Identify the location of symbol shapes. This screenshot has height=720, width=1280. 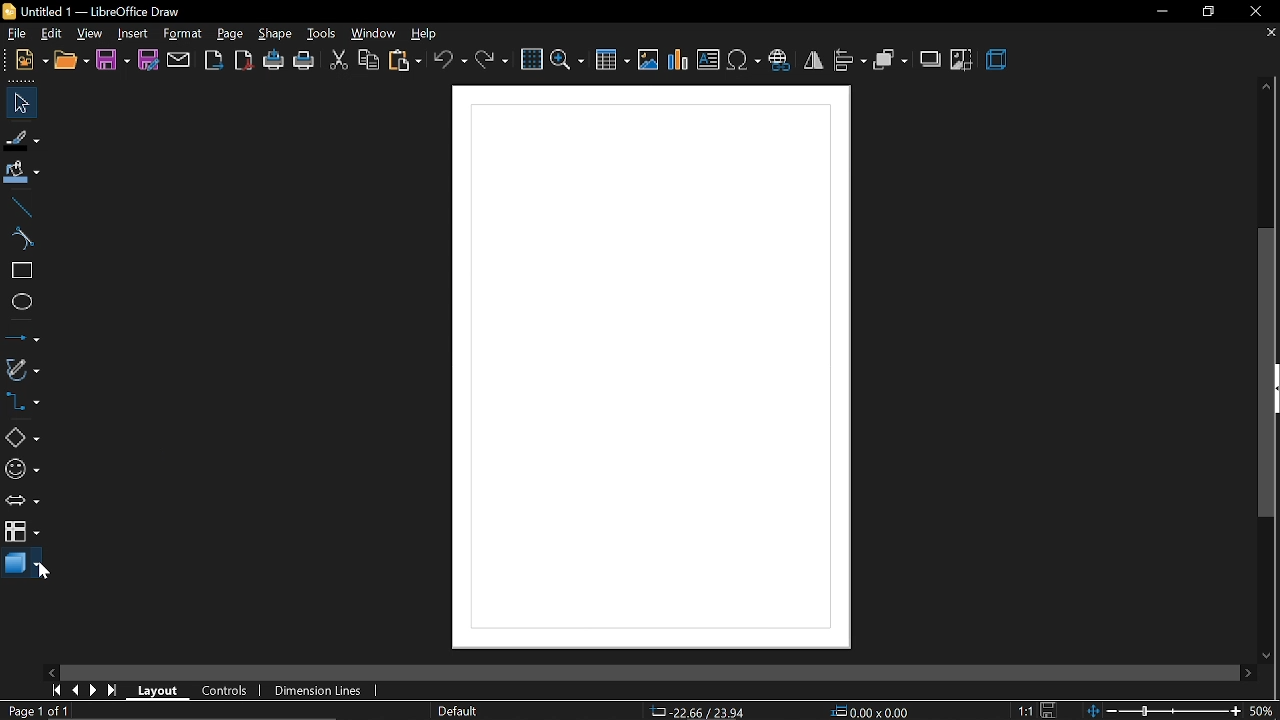
(21, 469).